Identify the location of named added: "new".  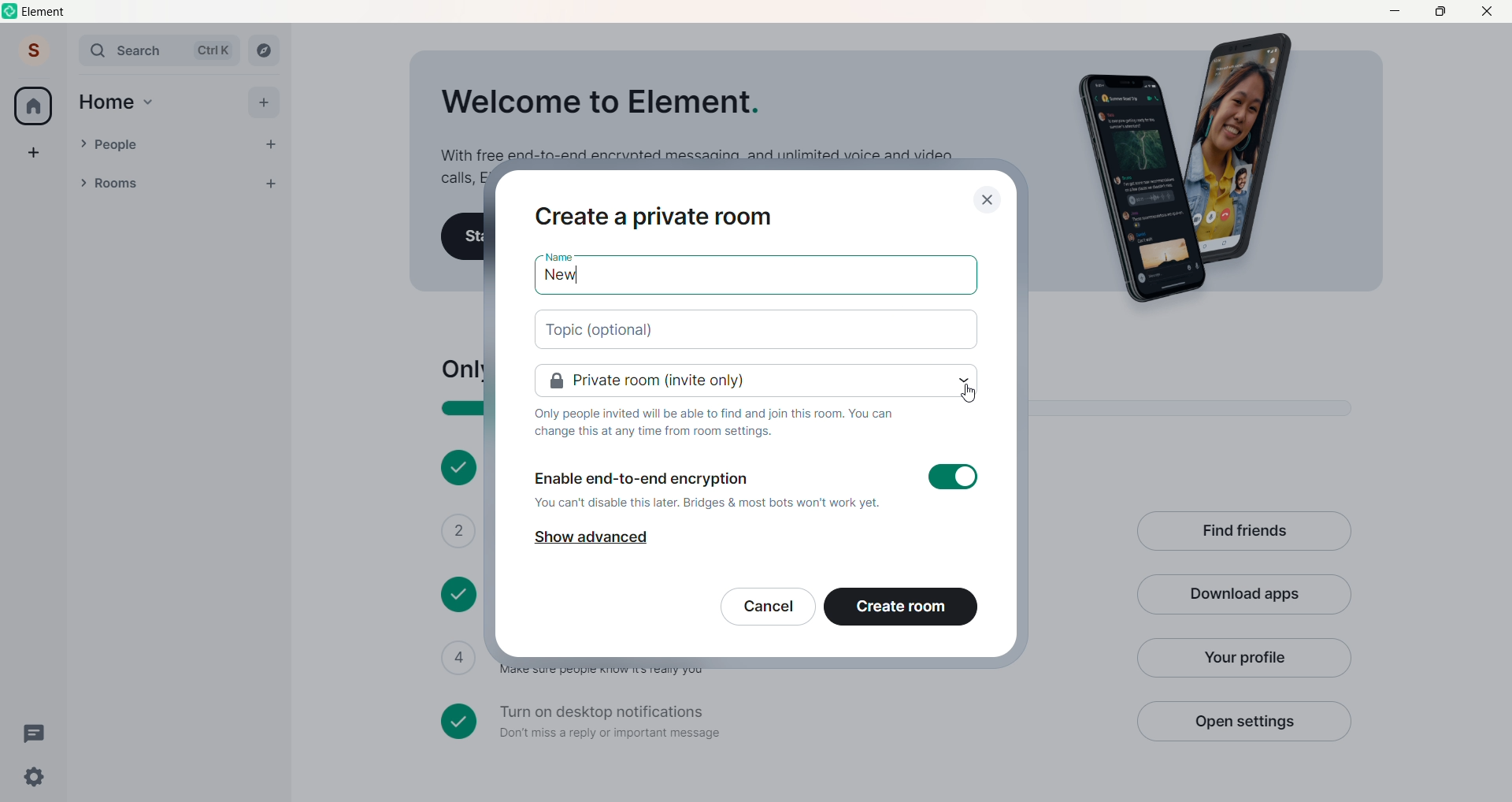
(755, 279).